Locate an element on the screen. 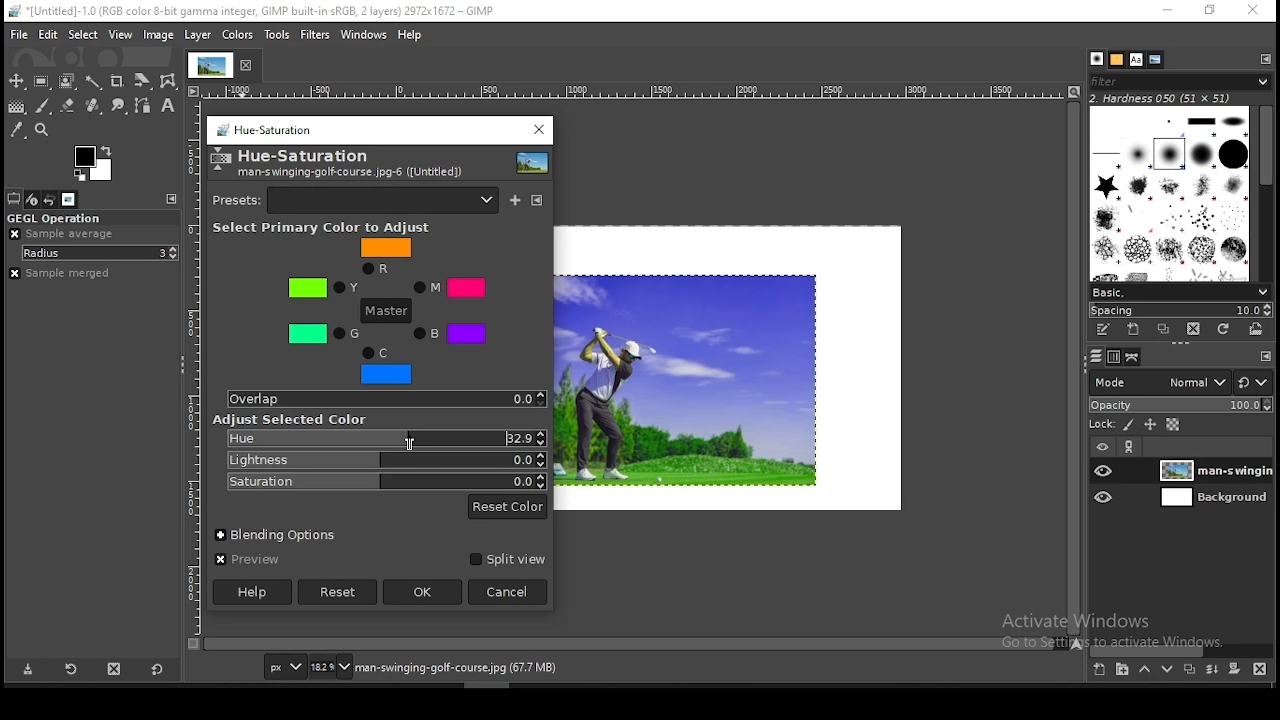 The image size is (1280, 720). horizontal scale is located at coordinates (633, 93).